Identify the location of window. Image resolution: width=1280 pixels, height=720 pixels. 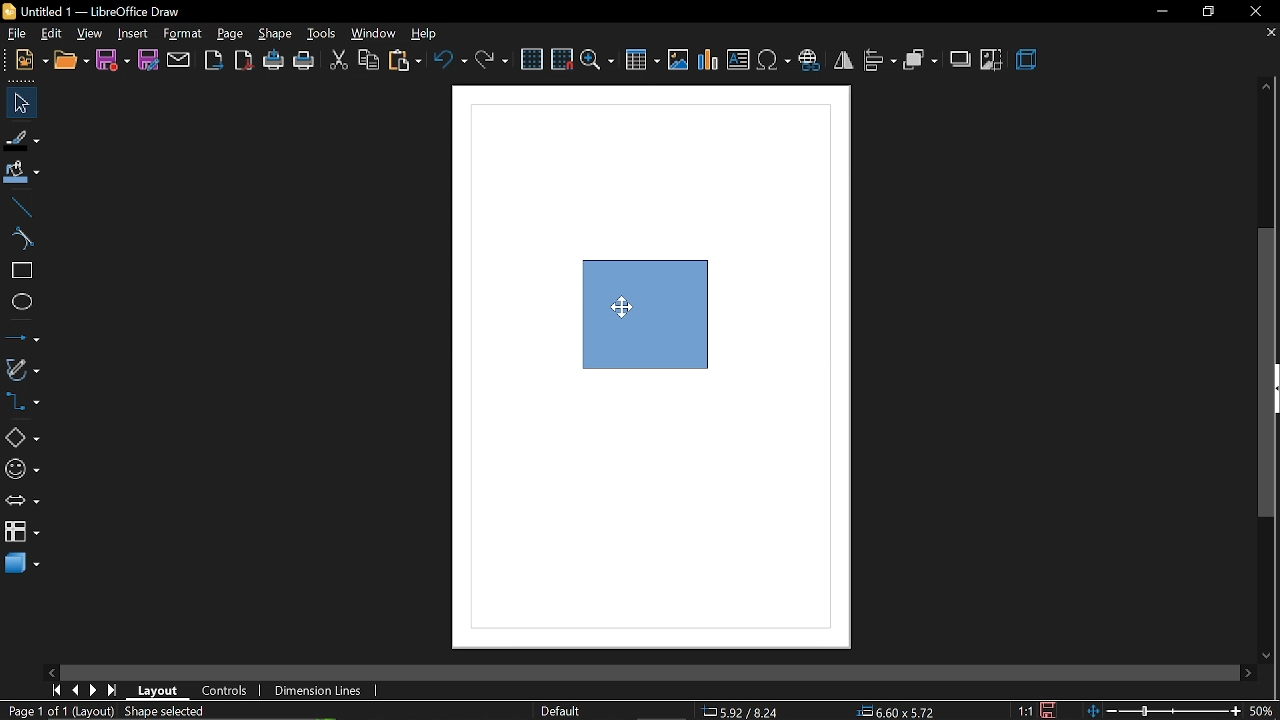
(375, 33).